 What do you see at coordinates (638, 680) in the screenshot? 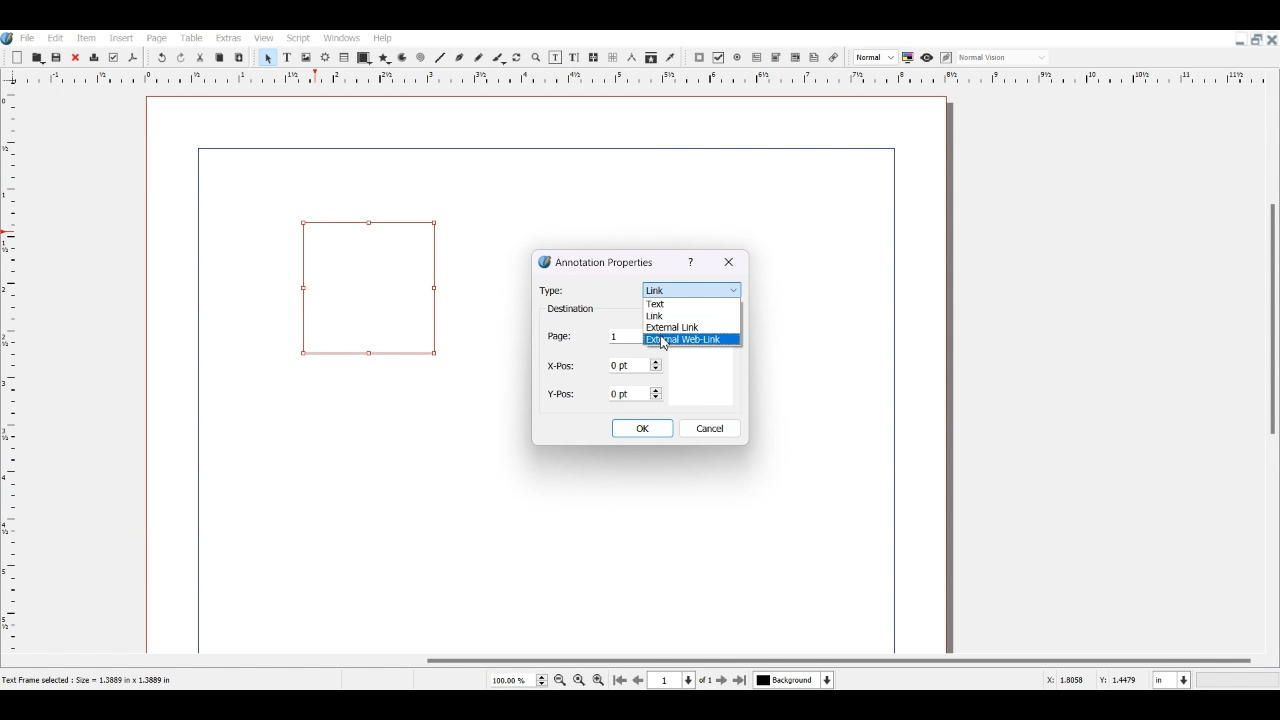
I see `Go to Previous page` at bounding box center [638, 680].